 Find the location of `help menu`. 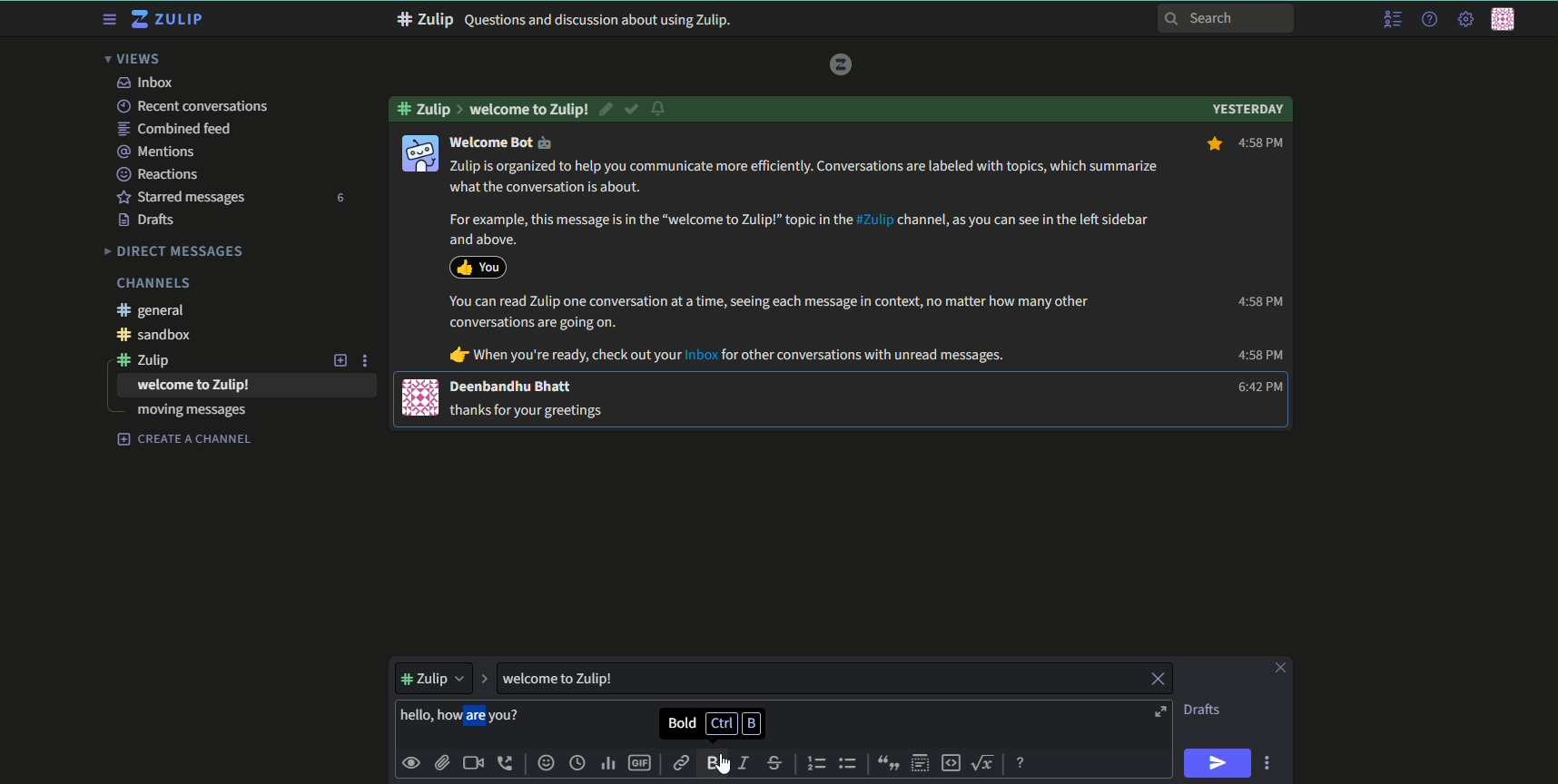

help menu is located at coordinates (1427, 20).